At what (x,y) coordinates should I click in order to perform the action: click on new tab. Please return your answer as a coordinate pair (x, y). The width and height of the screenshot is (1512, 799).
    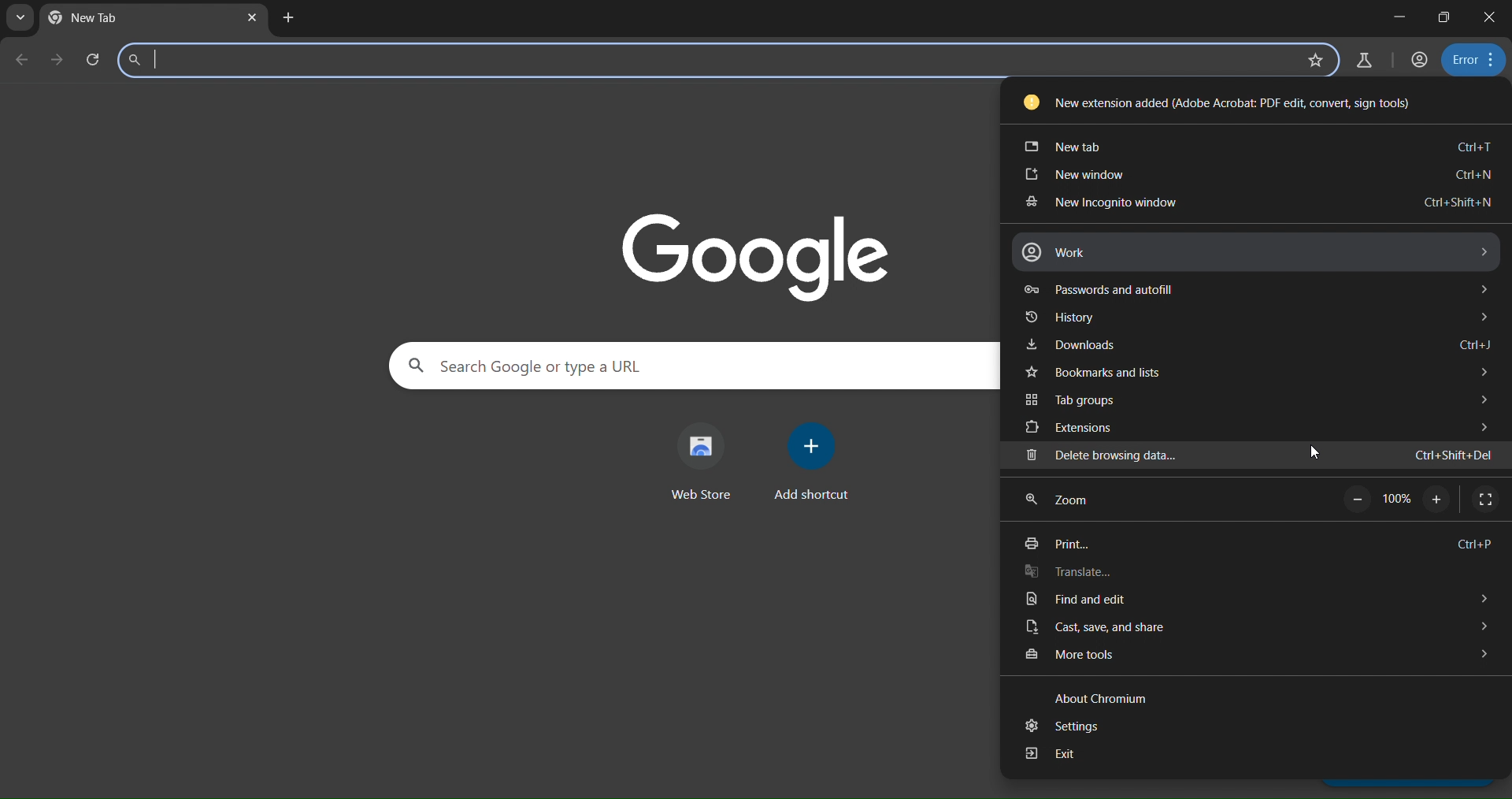
    Looking at the image, I should click on (1258, 149).